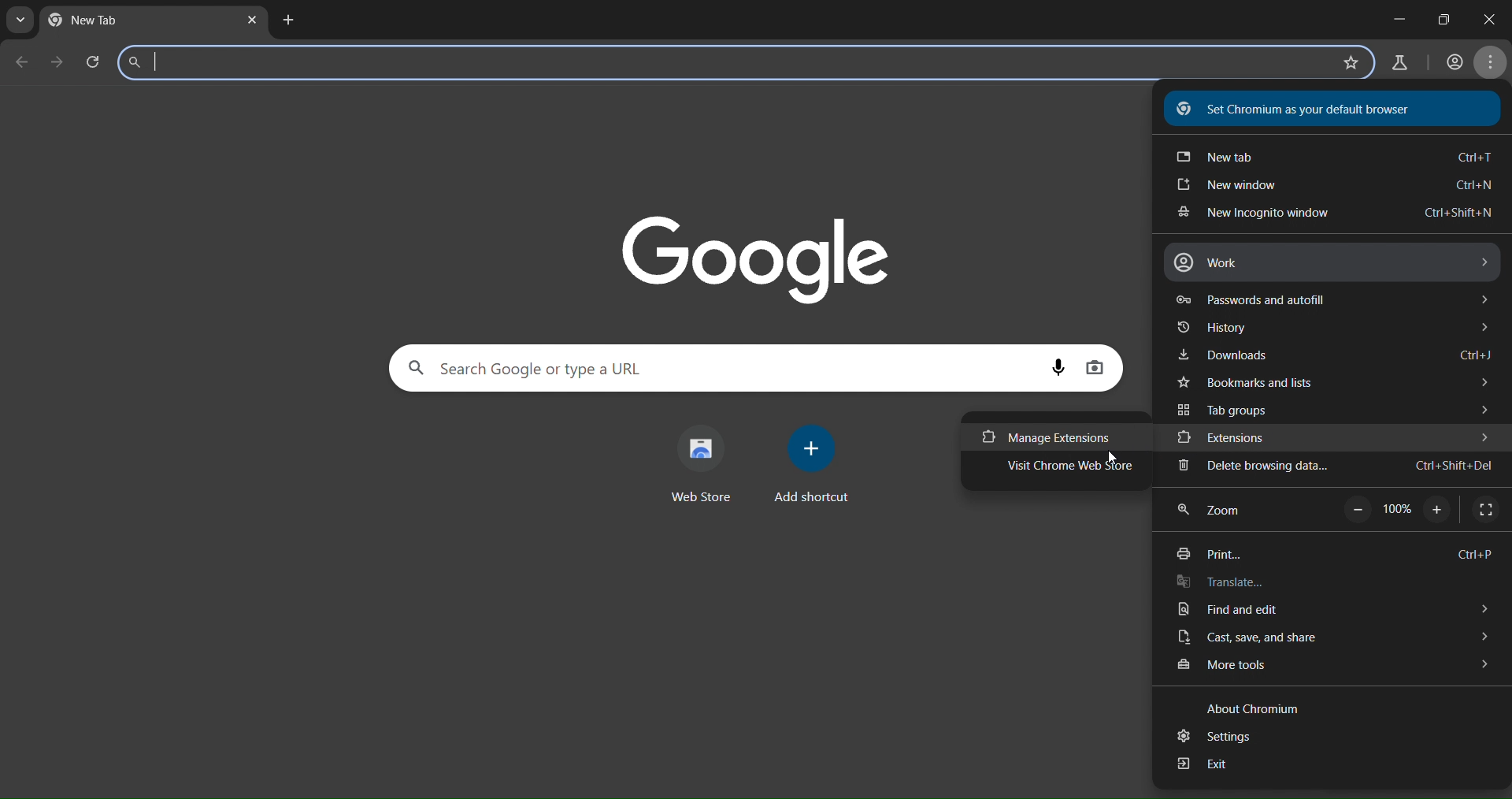 The width and height of the screenshot is (1512, 799). What do you see at coordinates (20, 17) in the screenshot?
I see `search tabs` at bounding box center [20, 17].